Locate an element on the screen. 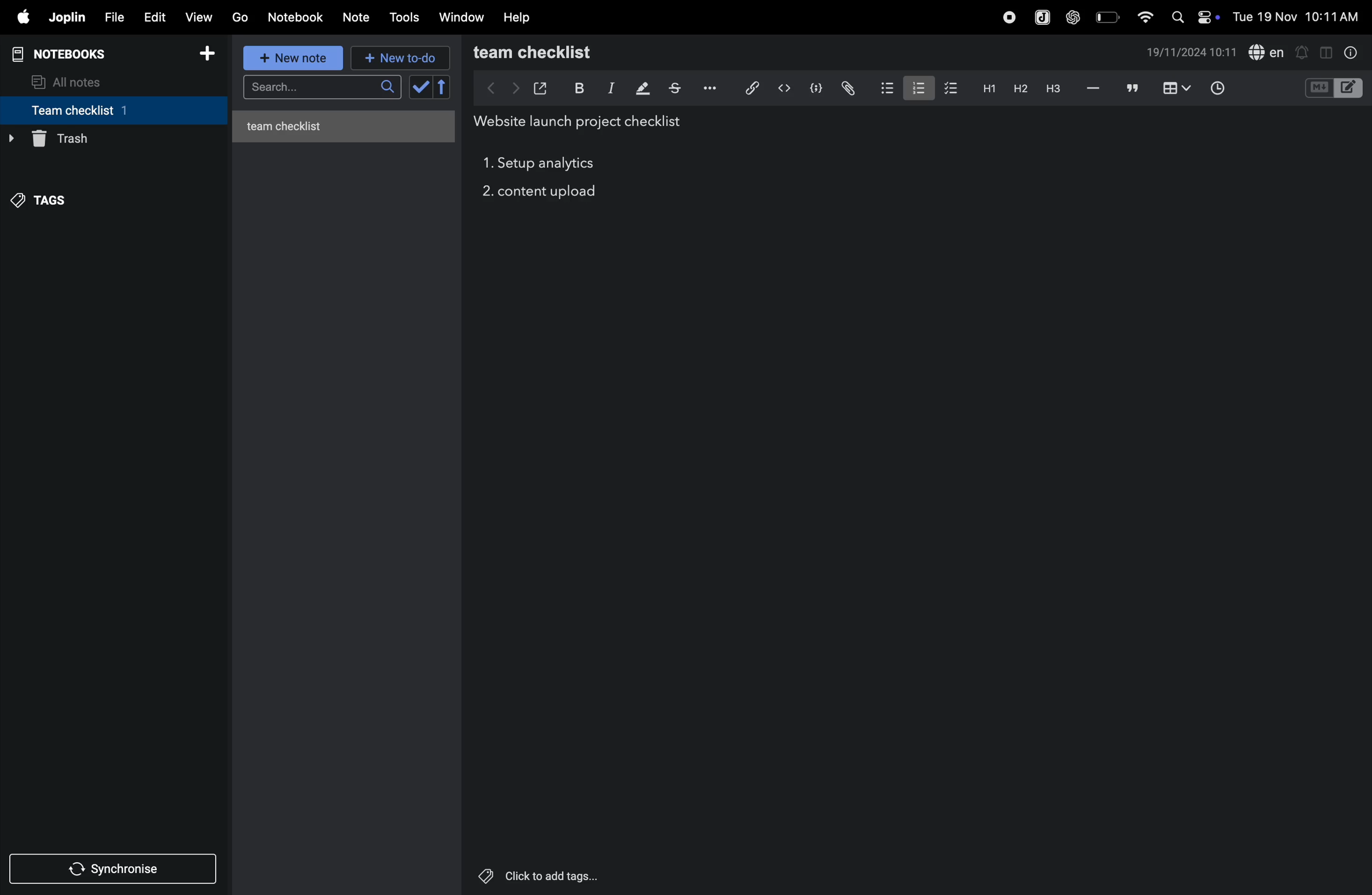  go is located at coordinates (240, 18).